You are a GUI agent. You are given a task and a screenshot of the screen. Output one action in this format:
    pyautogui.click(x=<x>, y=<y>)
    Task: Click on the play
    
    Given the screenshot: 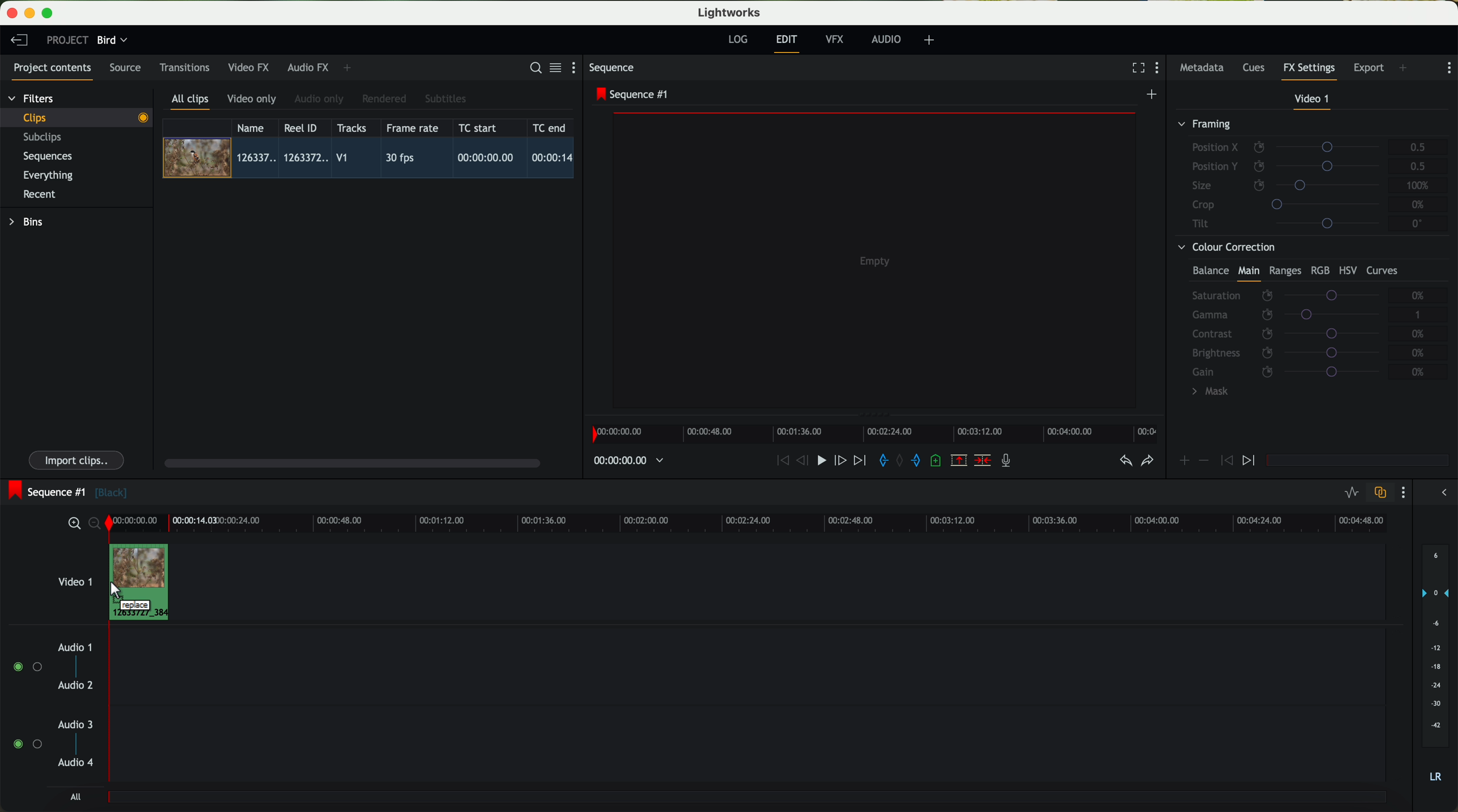 What is the action you would take?
    pyautogui.click(x=821, y=459)
    